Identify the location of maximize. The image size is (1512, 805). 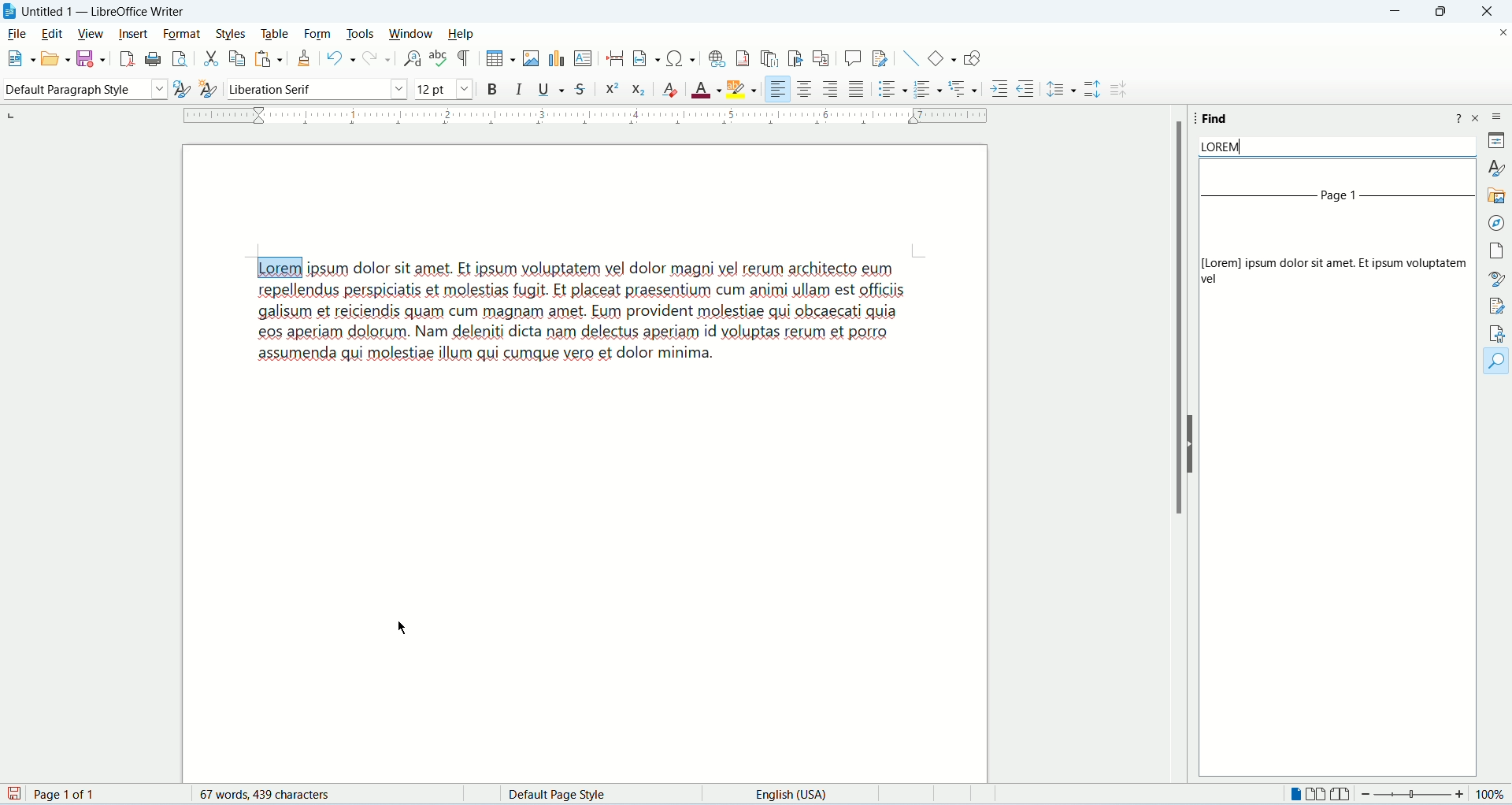
(1442, 14).